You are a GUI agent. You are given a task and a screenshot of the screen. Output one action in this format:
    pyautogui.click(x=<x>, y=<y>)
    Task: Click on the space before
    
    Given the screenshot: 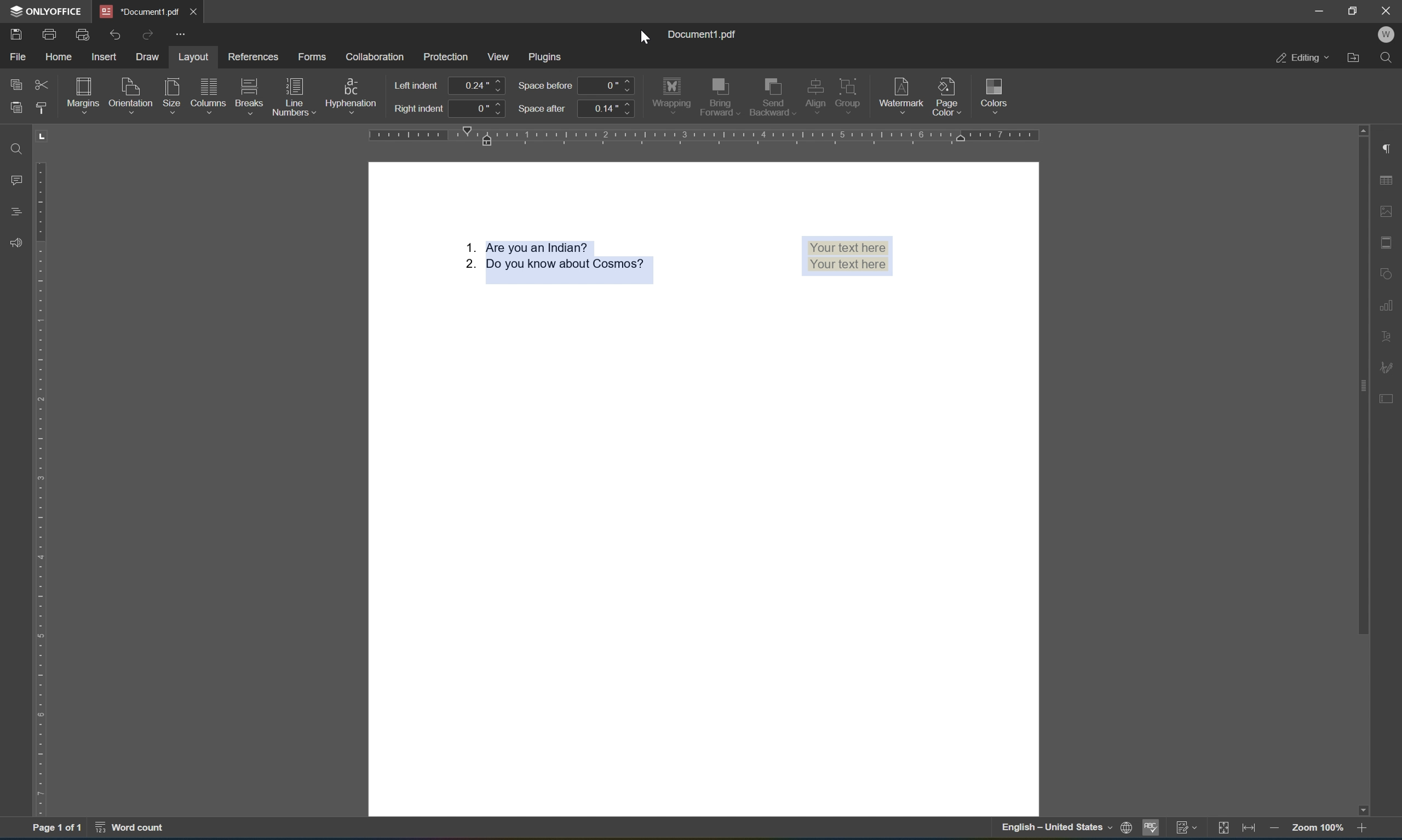 What is the action you would take?
    pyautogui.click(x=546, y=87)
    